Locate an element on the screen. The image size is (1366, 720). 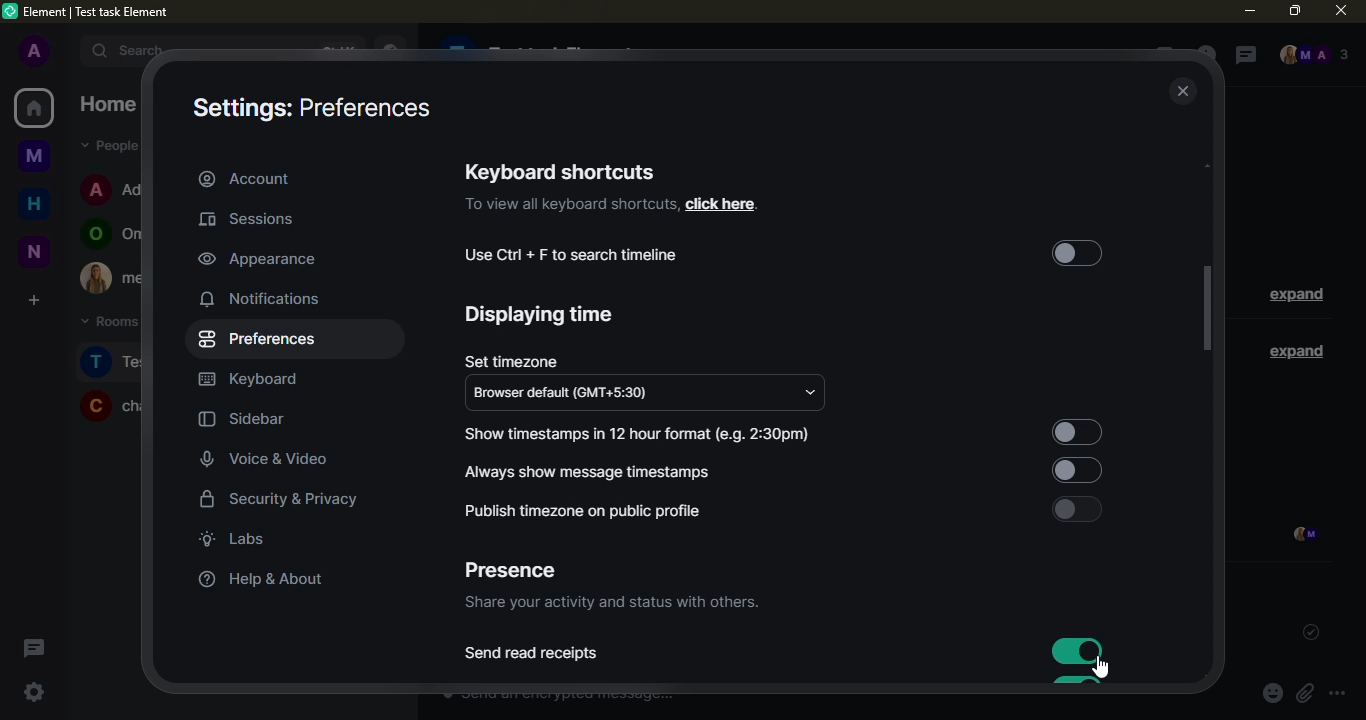
use ctrl+F is located at coordinates (572, 255).